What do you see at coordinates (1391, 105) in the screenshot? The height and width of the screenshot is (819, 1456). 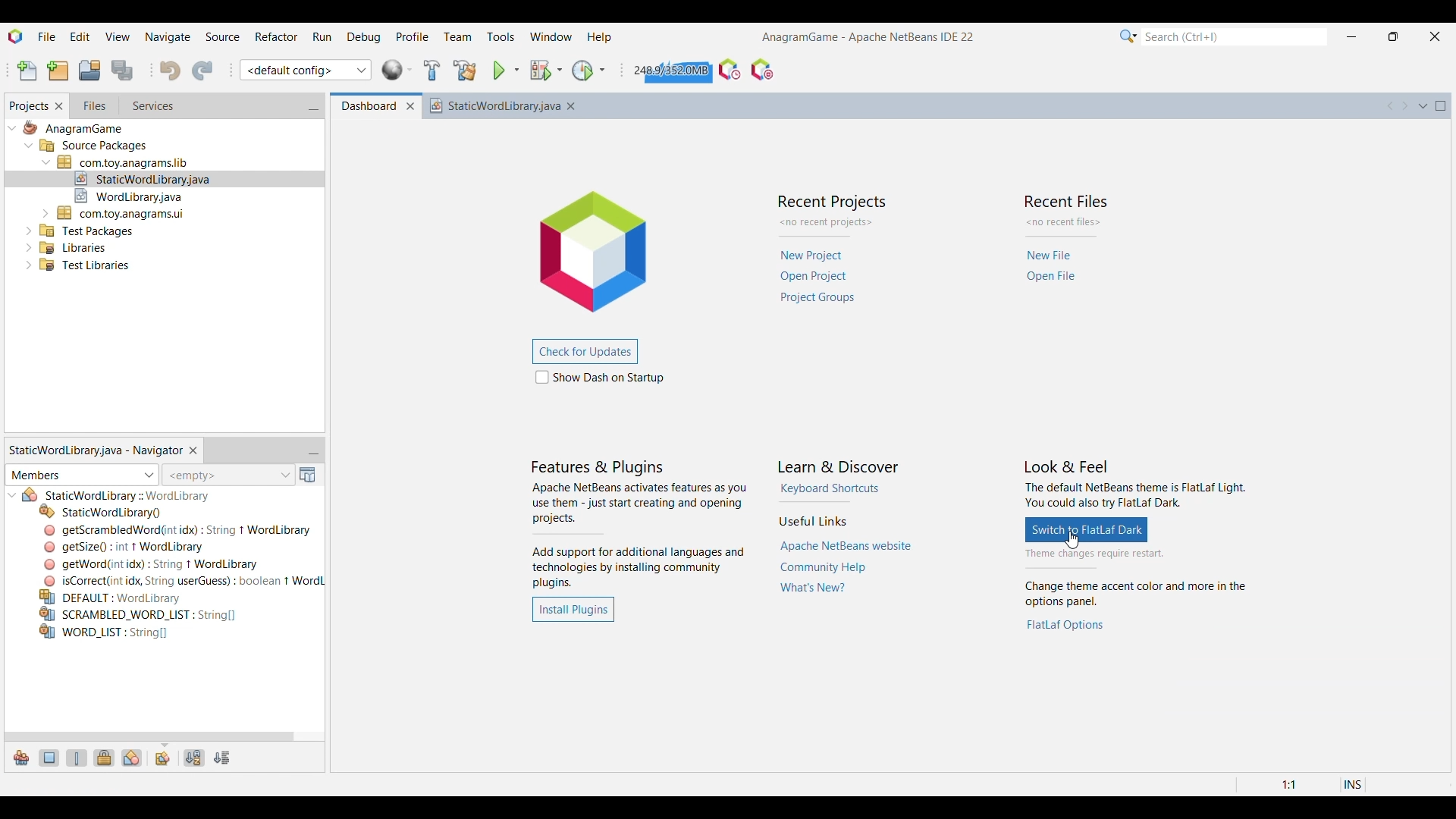 I see `Scroll documents left` at bounding box center [1391, 105].